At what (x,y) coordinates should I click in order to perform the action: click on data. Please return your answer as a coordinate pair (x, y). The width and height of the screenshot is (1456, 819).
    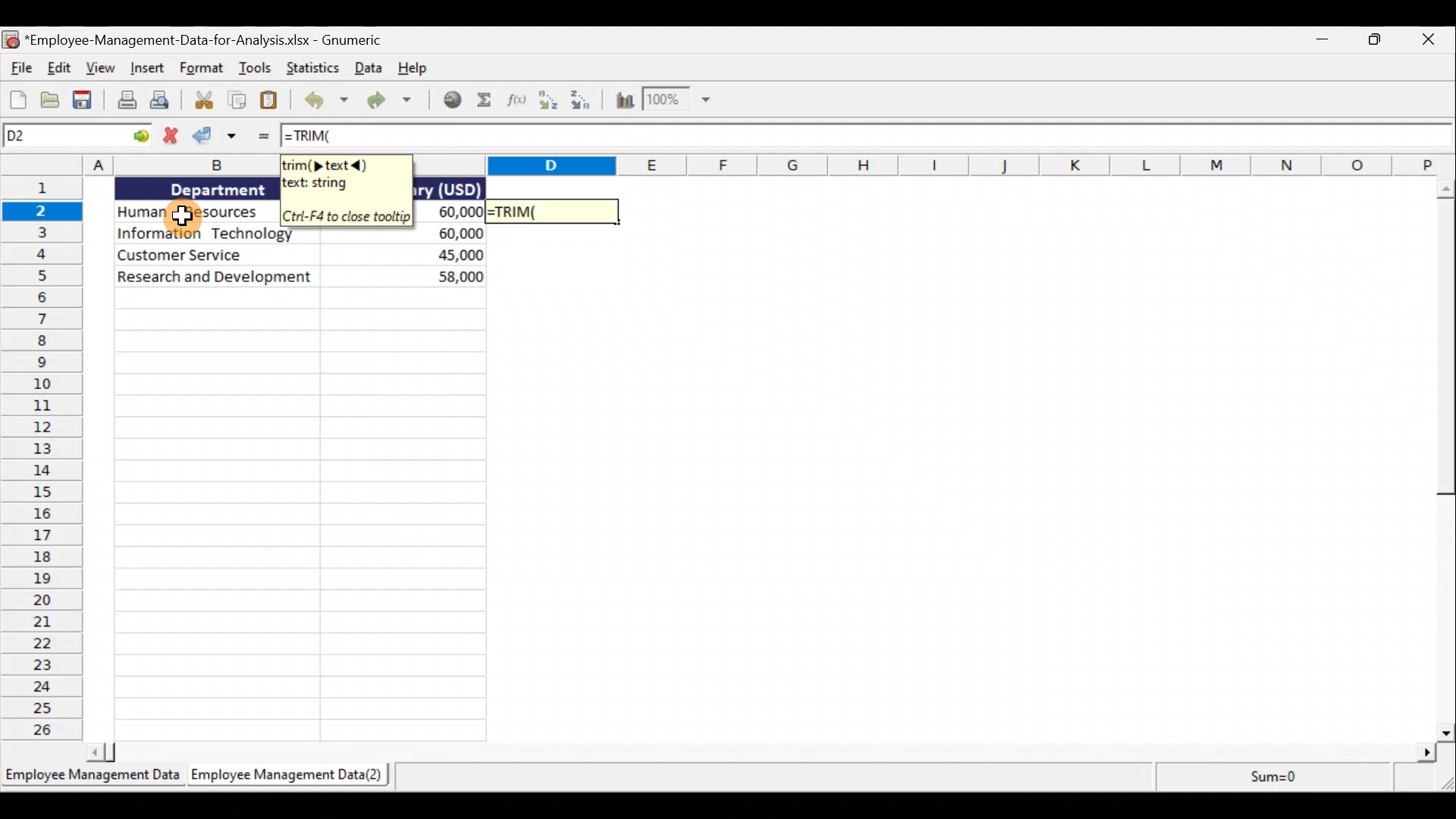
    Looking at the image, I should click on (287, 239).